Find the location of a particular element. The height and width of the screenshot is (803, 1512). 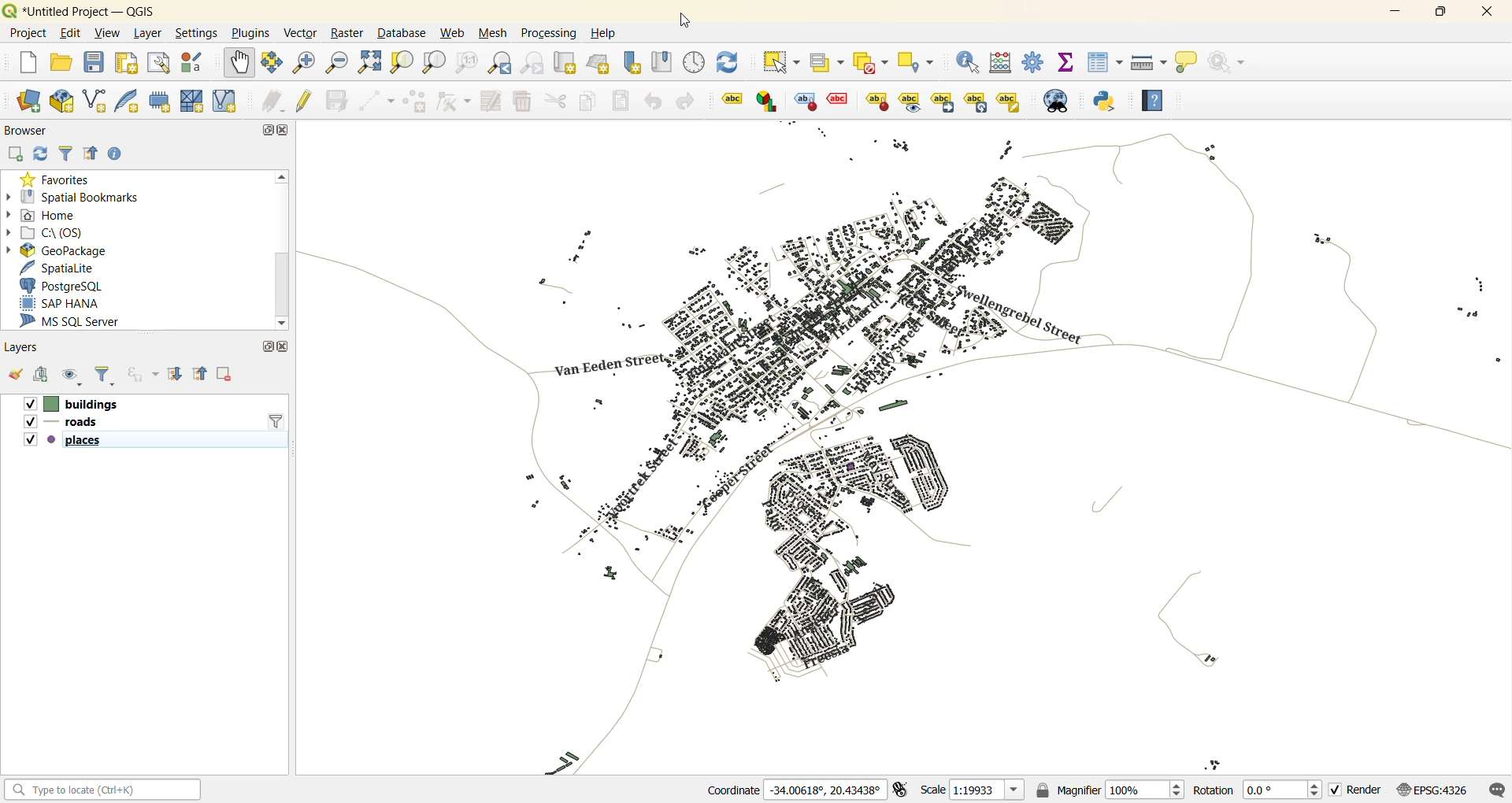

select location is located at coordinates (918, 62).